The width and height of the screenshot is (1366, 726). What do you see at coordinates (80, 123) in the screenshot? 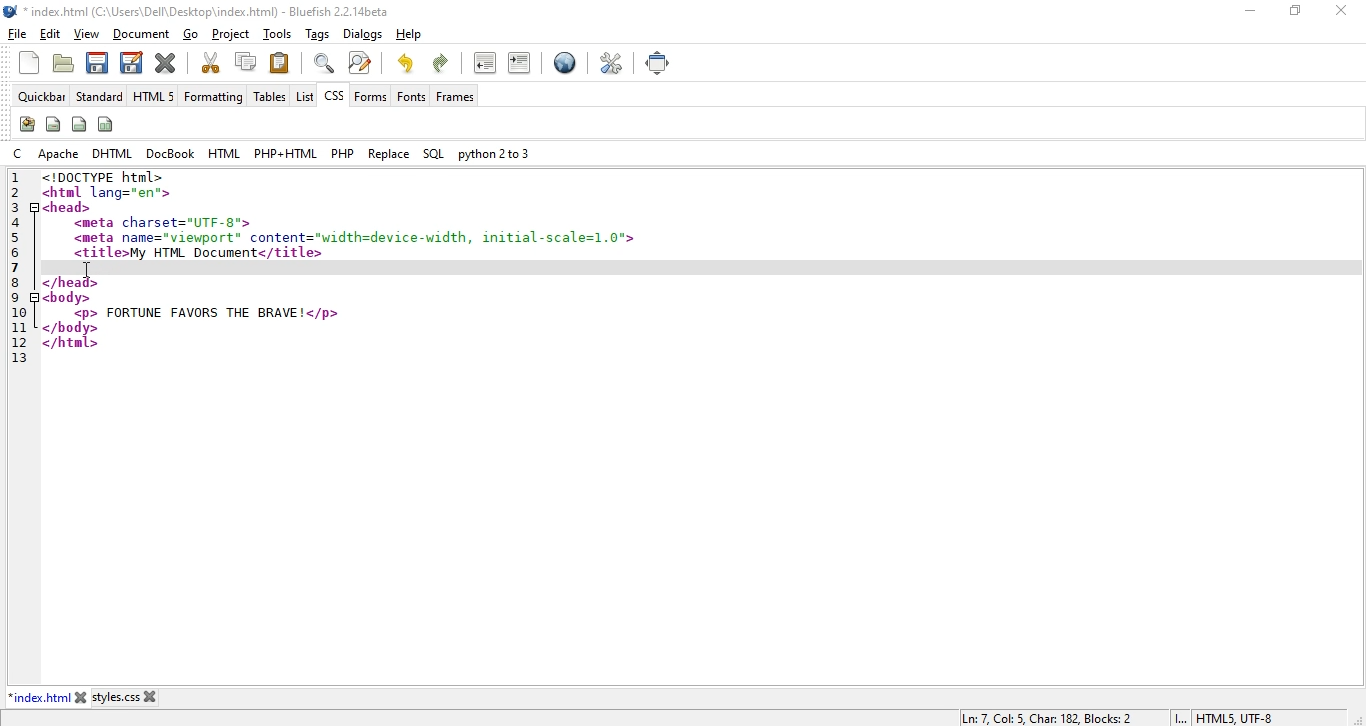
I see `div` at bounding box center [80, 123].